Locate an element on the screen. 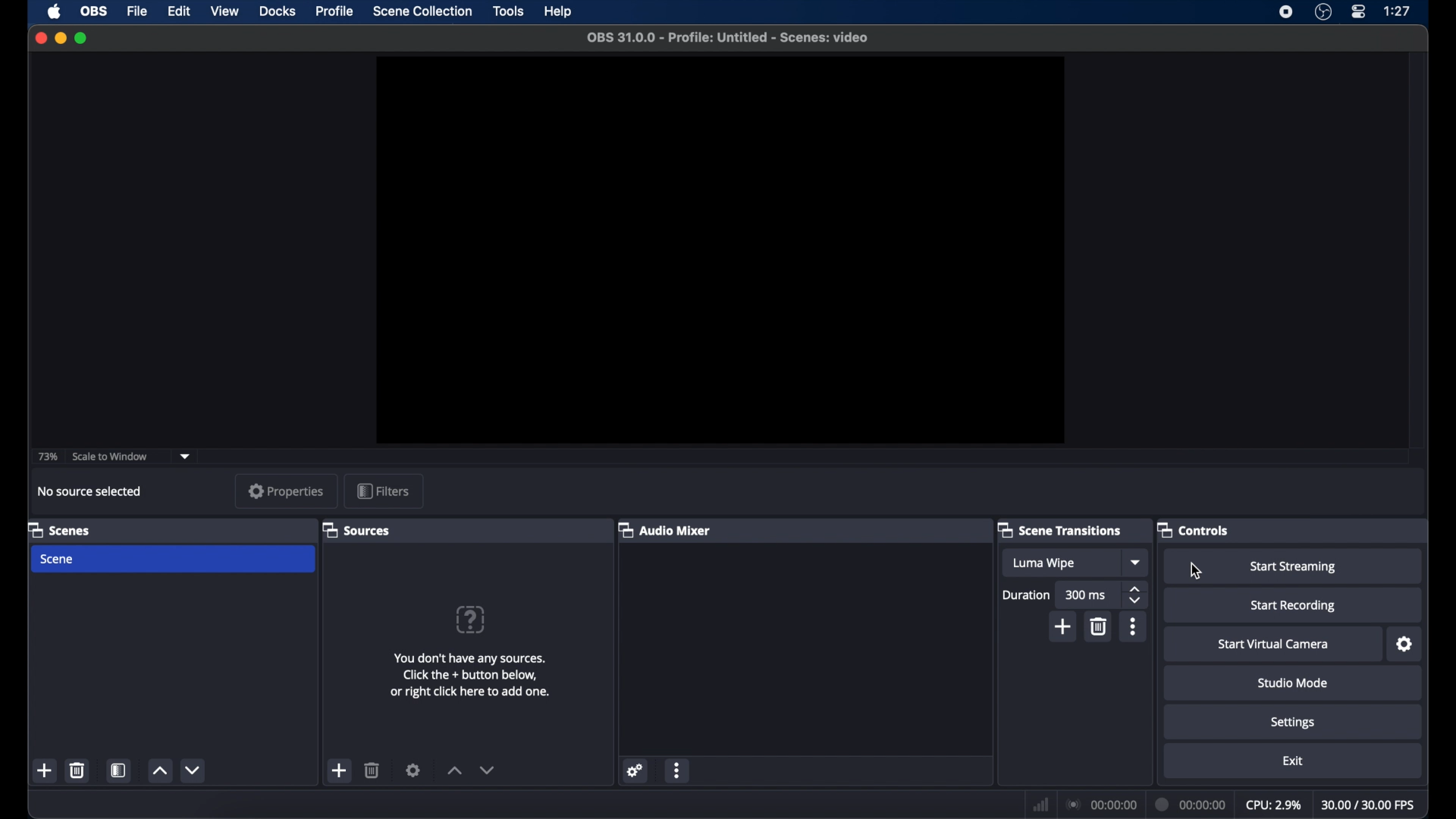  settings is located at coordinates (1294, 723).